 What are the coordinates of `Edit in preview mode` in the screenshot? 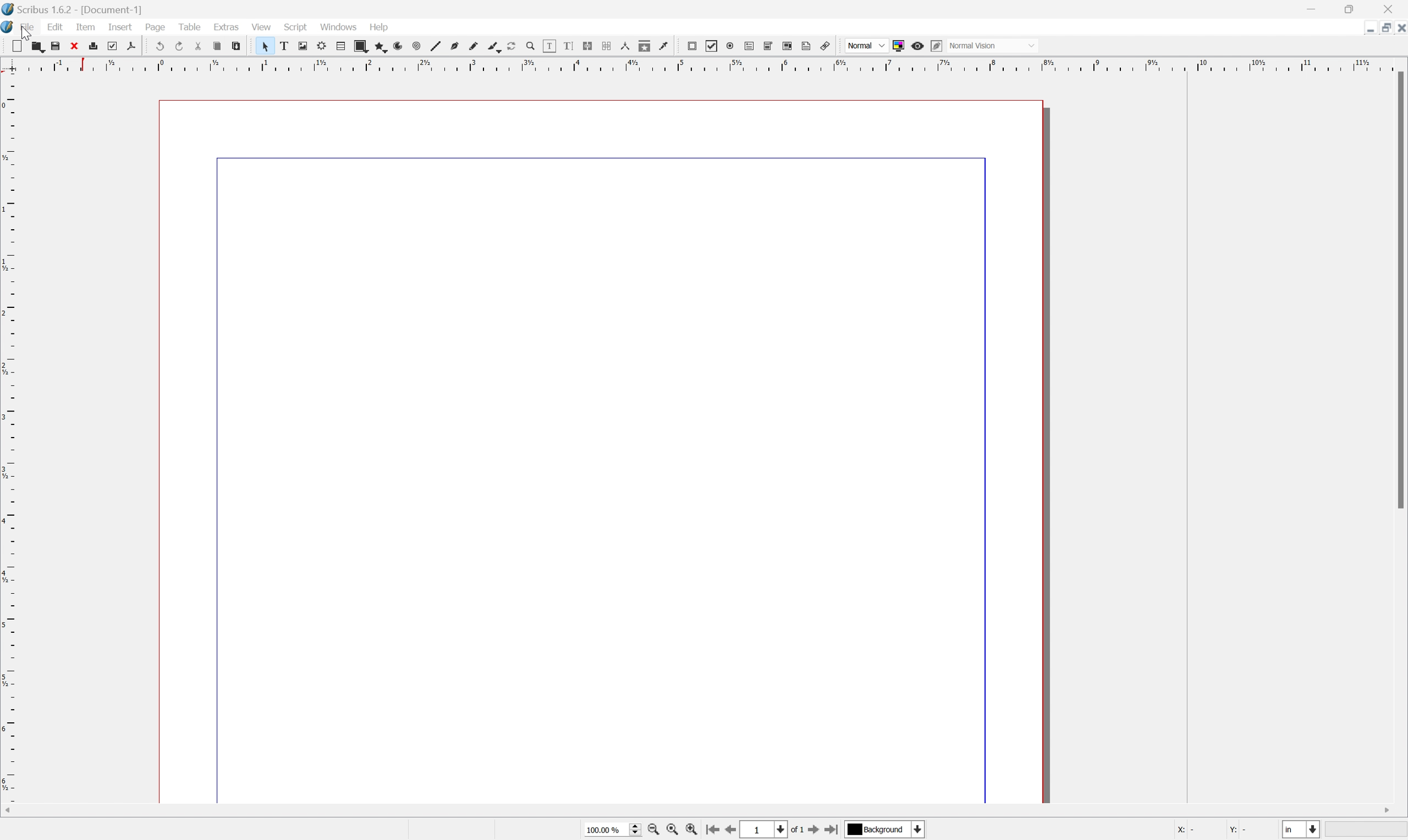 It's located at (939, 46).